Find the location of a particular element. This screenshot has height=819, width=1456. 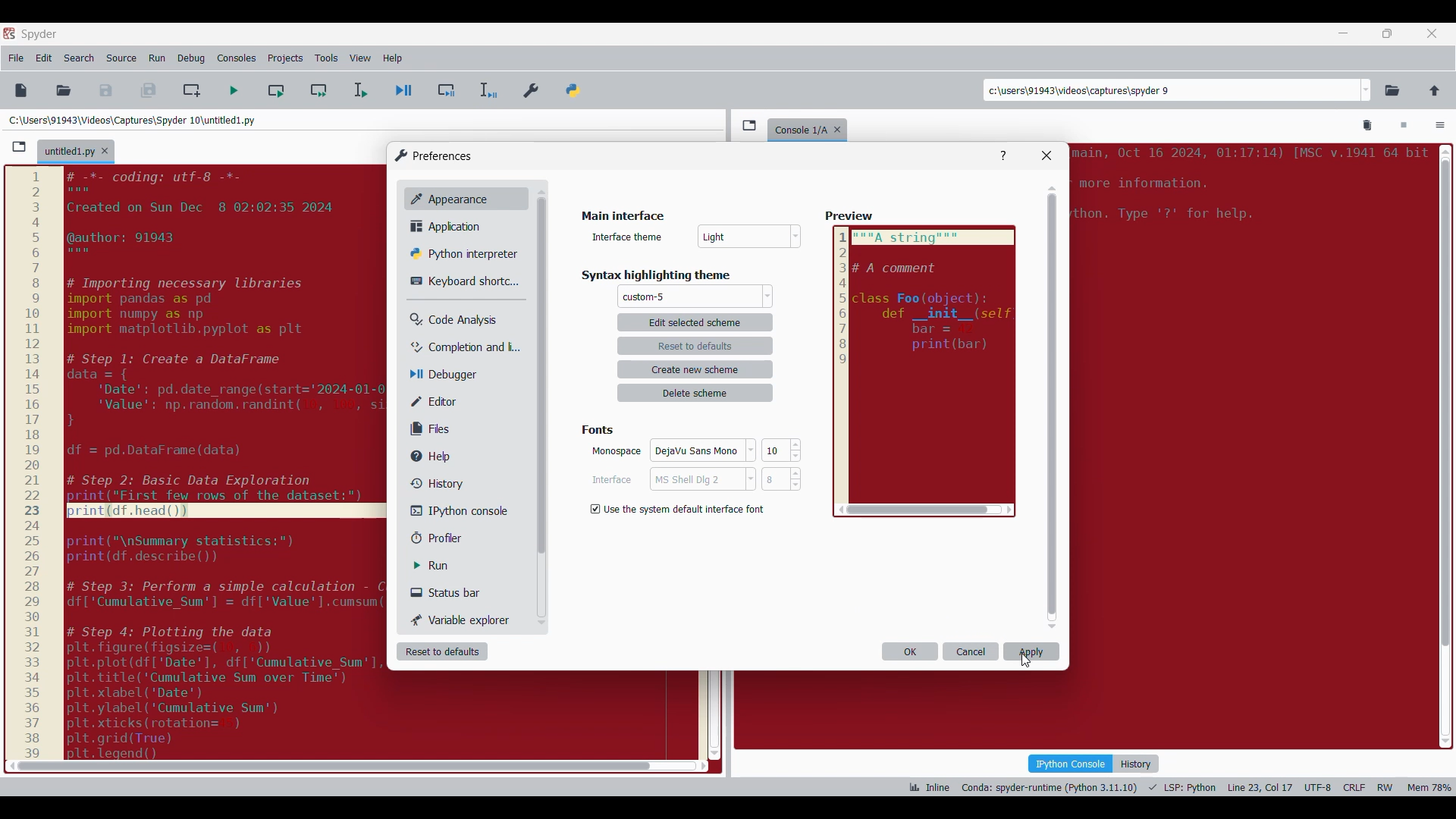

Create new cell at current line is located at coordinates (192, 90).